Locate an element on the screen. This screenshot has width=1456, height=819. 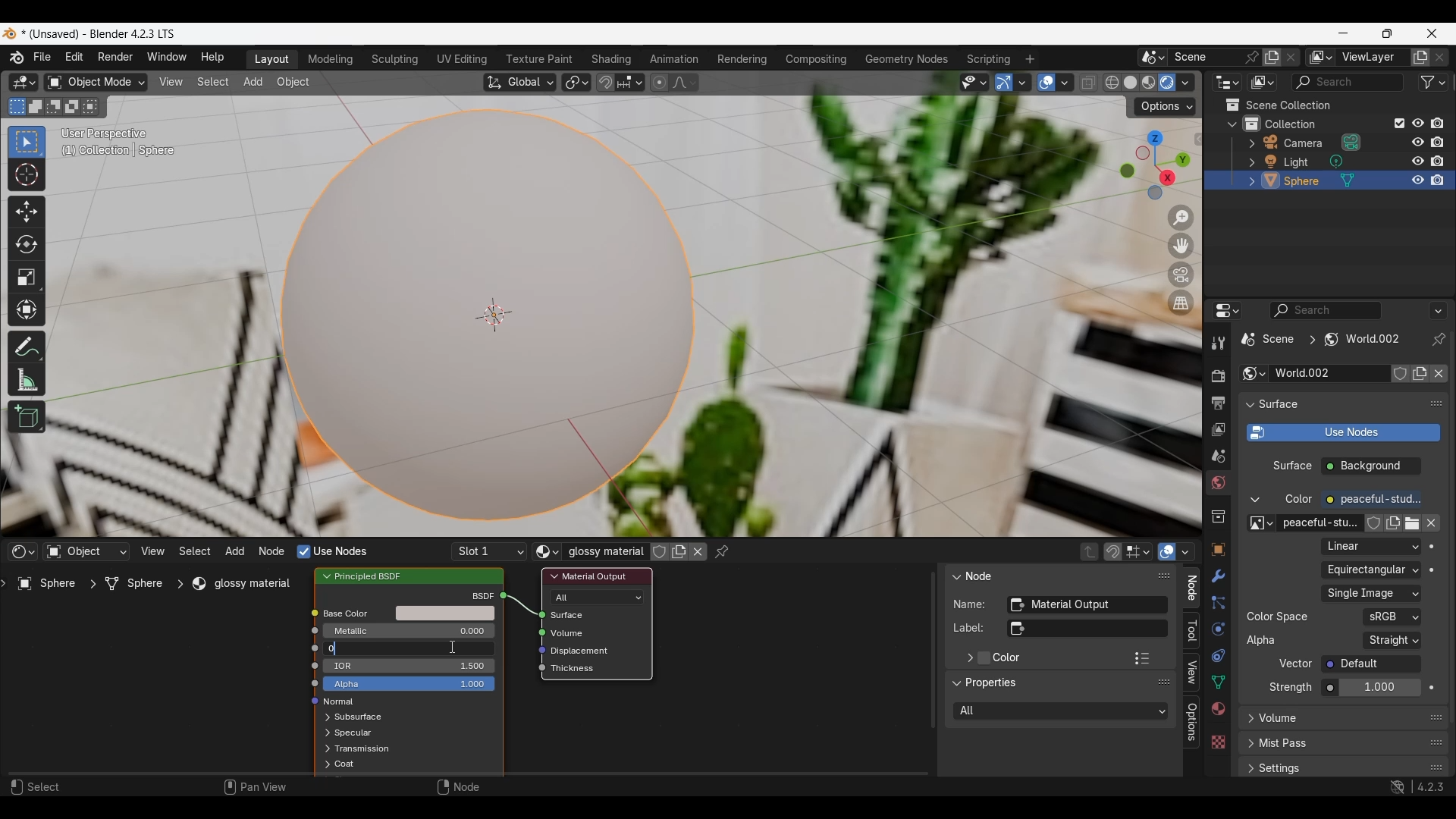
Collection properties is located at coordinates (1217, 516).